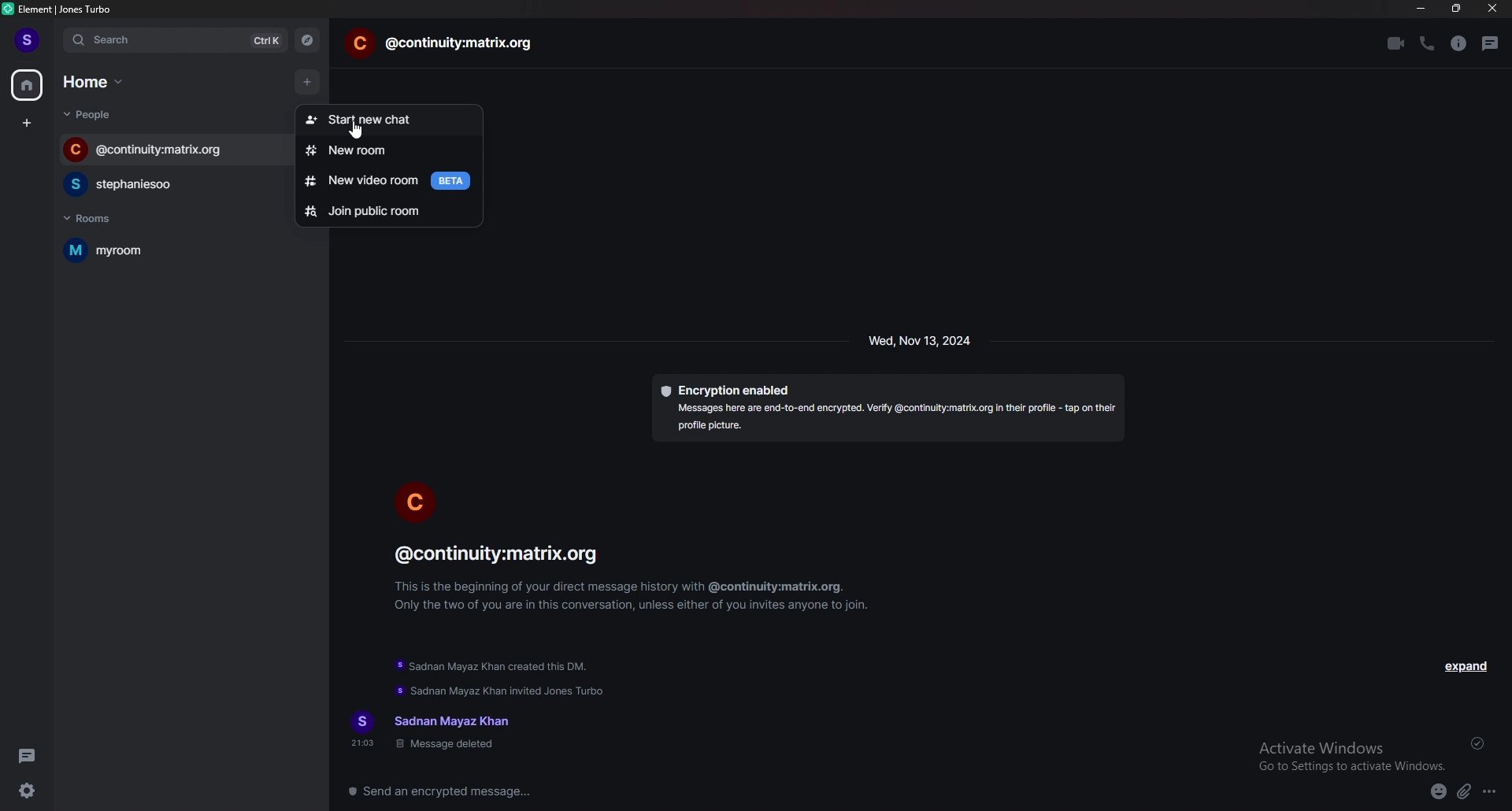 The image size is (1512, 811). What do you see at coordinates (1458, 44) in the screenshot?
I see `room info` at bounding box center [1458, 44].